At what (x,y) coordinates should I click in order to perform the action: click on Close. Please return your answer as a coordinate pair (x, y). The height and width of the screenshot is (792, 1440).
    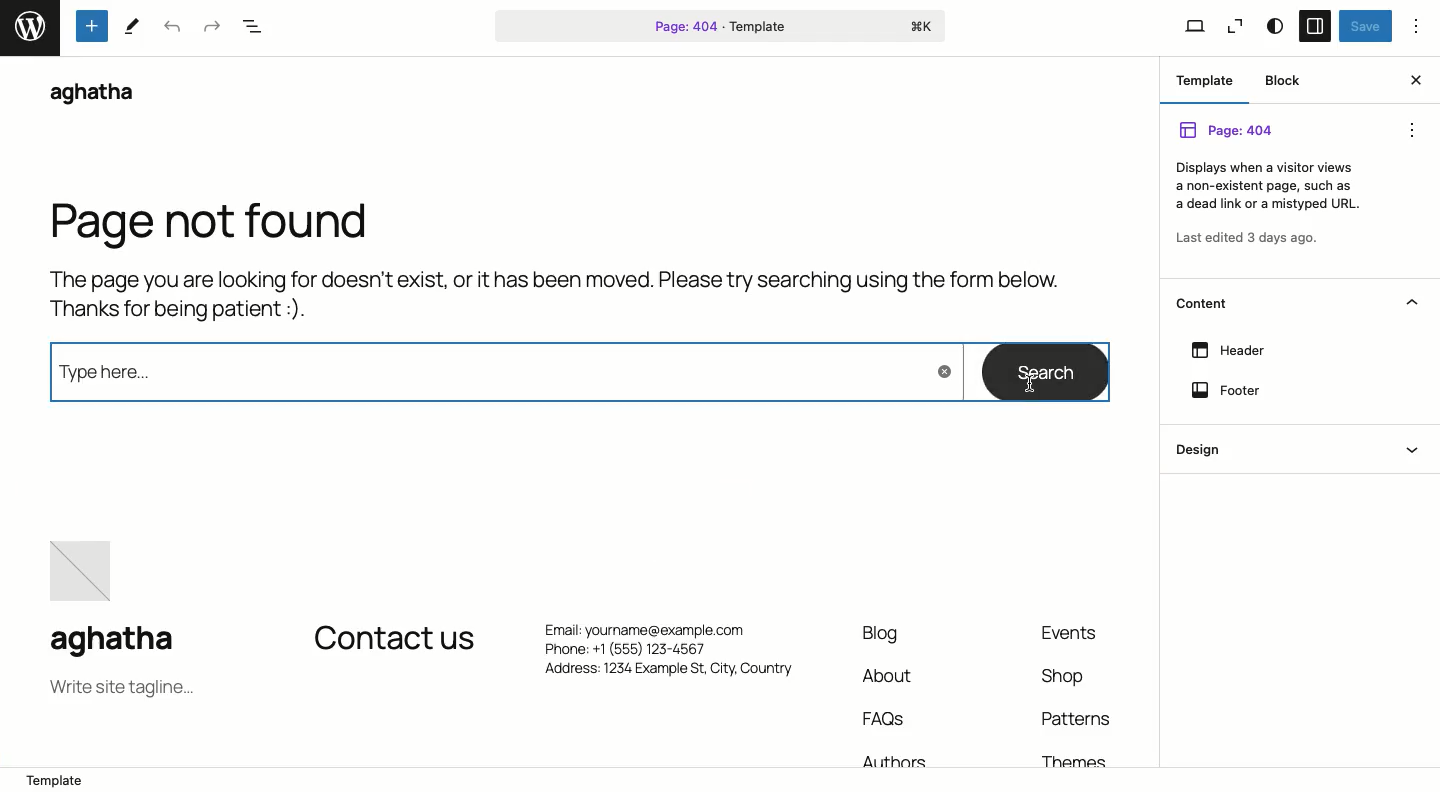
    Looking at the image, I should click on (1418, 81).